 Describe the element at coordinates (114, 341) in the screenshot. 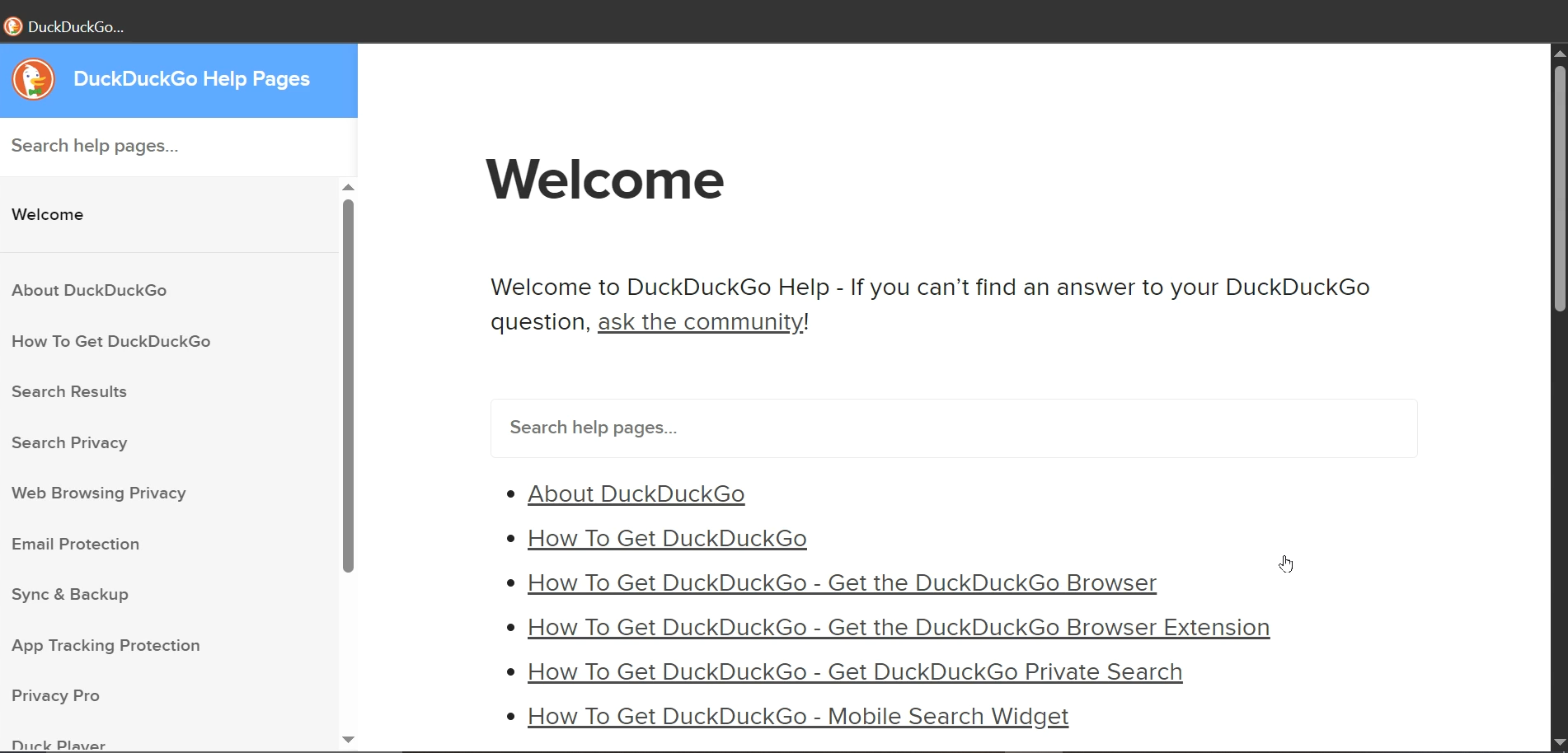

I see `How To Get DuckDuckGo` at that location.